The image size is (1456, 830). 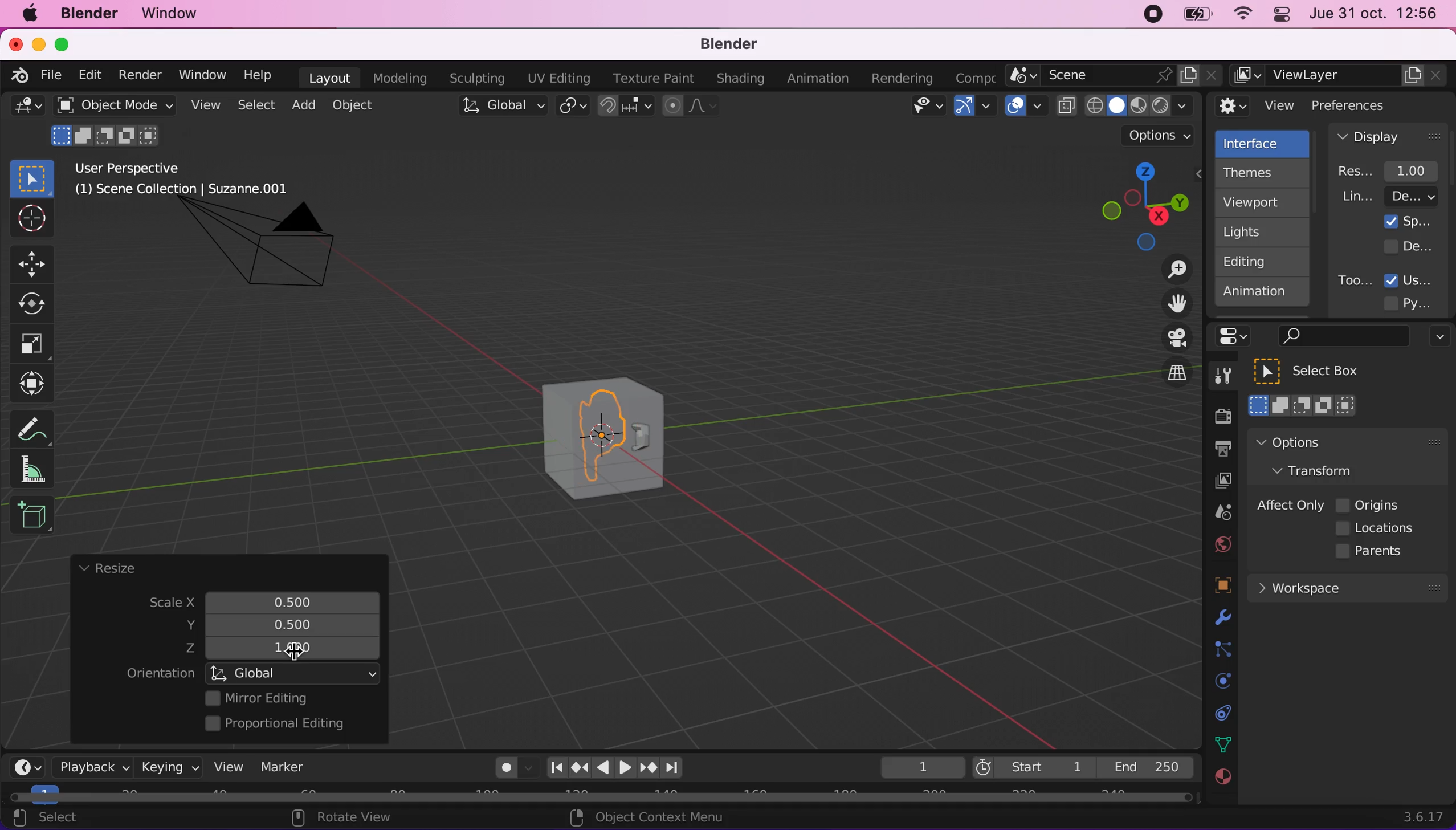 I want to click on options, so click(x=1437, y=338).